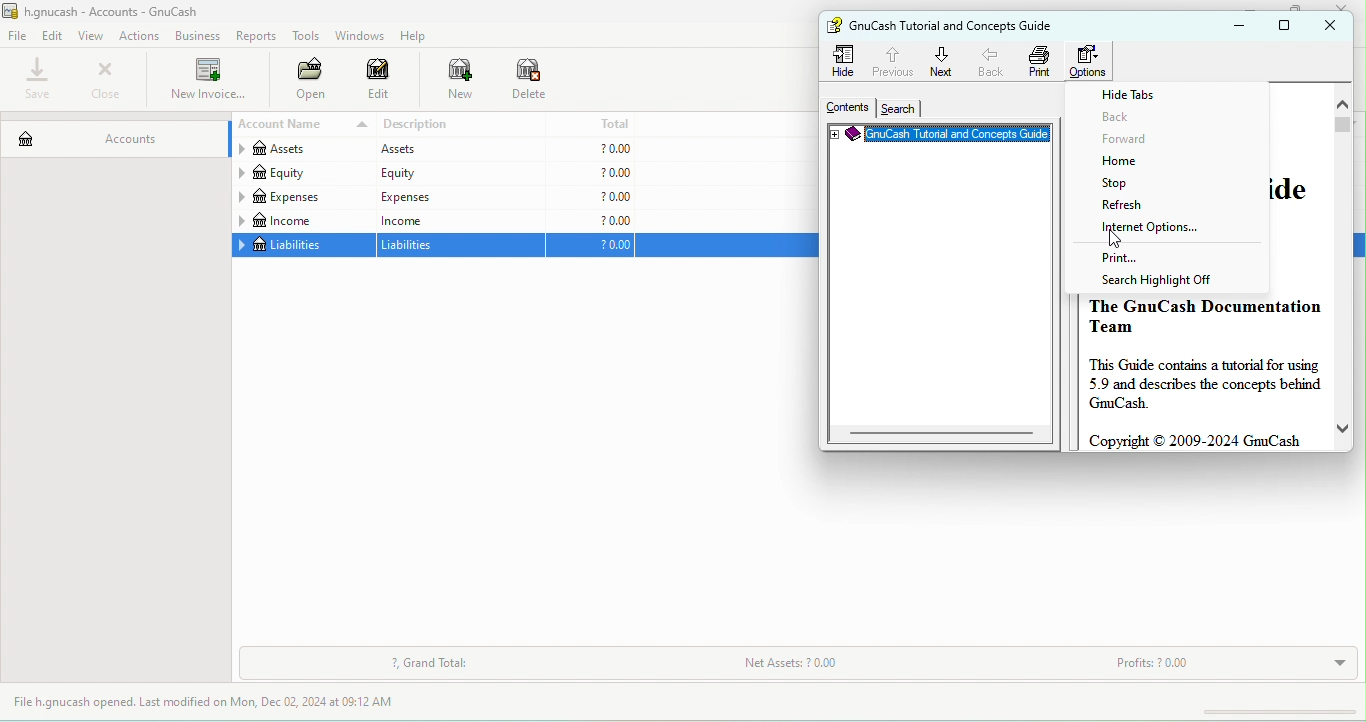  Describe the element at coordinates (1347, 6) in the screenshot. I see `close` at that location.